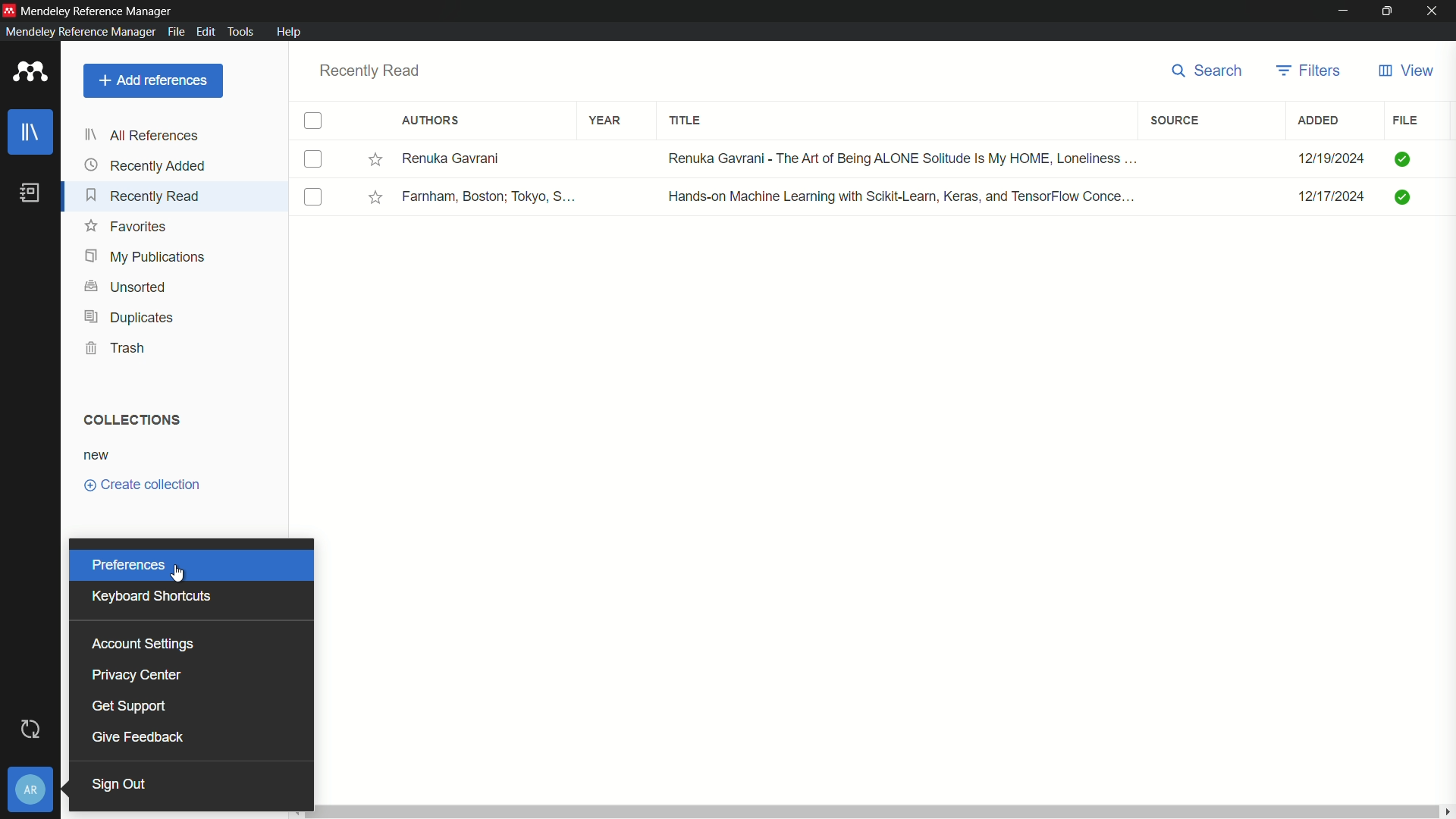 The width and height of the screenshot is (1456, 819). I want to click on collections, so click(130, 419).